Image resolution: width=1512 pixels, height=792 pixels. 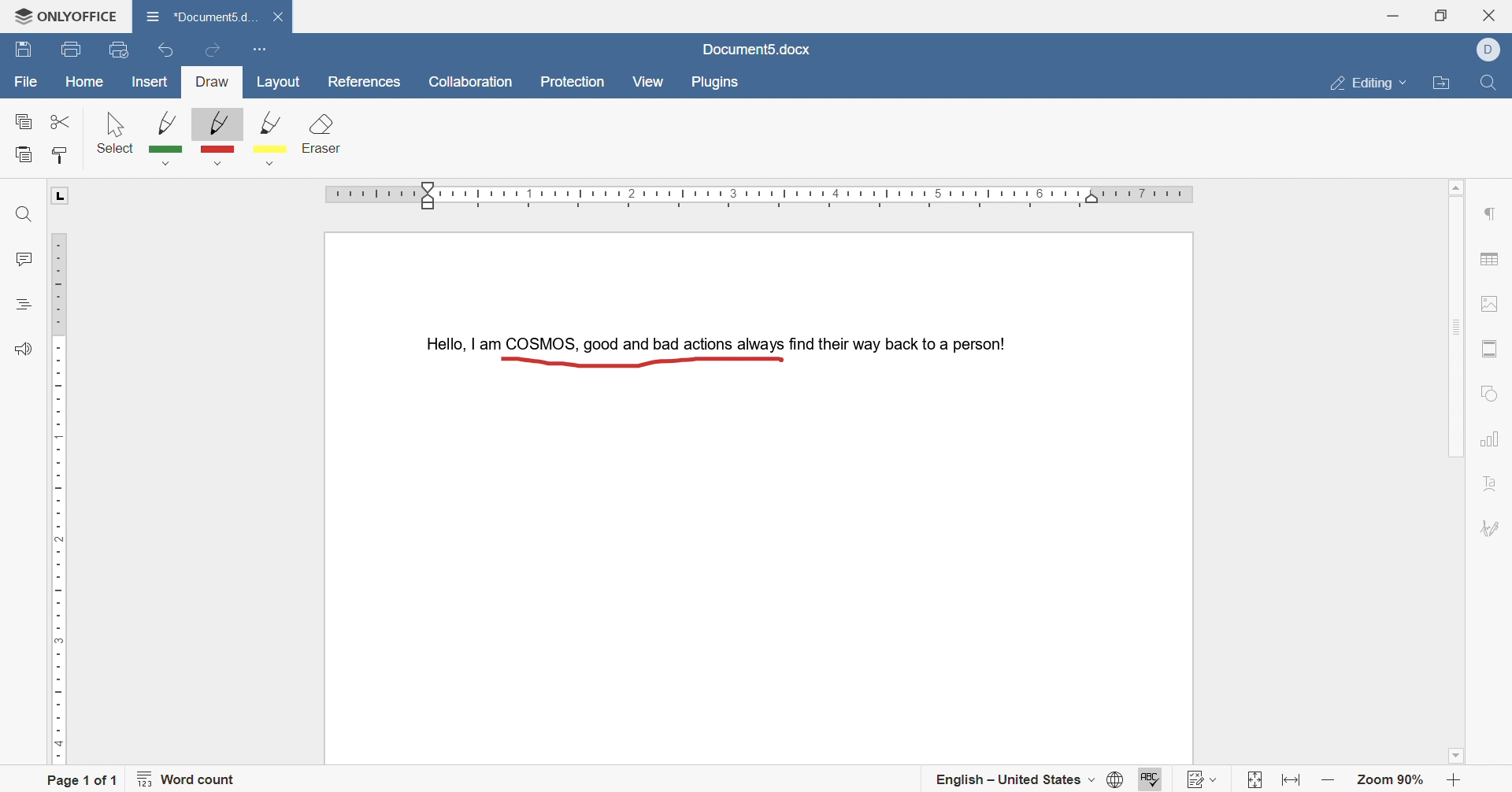 What do you see at coordinates (215, 138) in the screenshot?
I see `red pen` at bounding box center [215, 138].